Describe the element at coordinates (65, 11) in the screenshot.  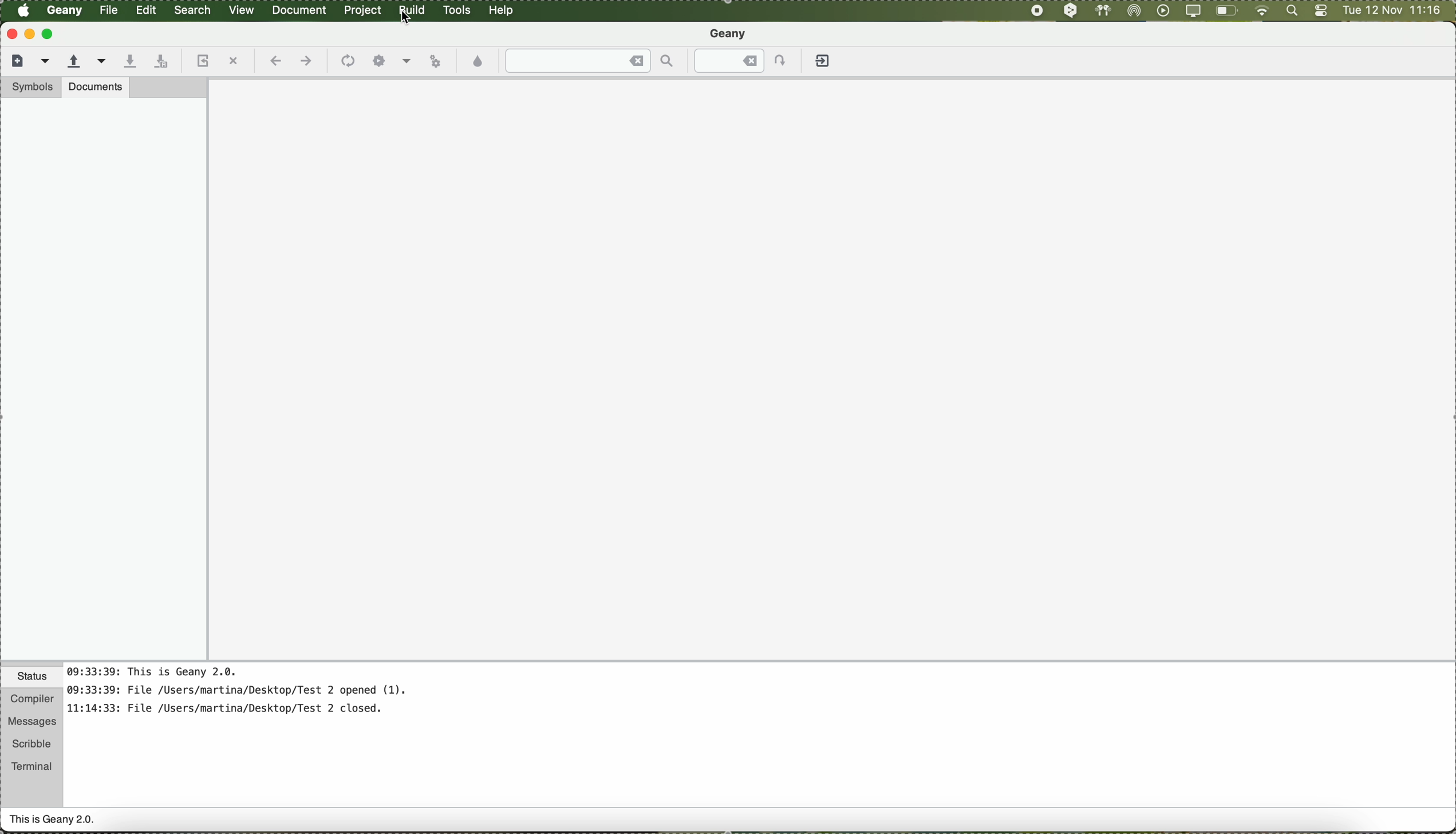
I see `Geany` at that location.